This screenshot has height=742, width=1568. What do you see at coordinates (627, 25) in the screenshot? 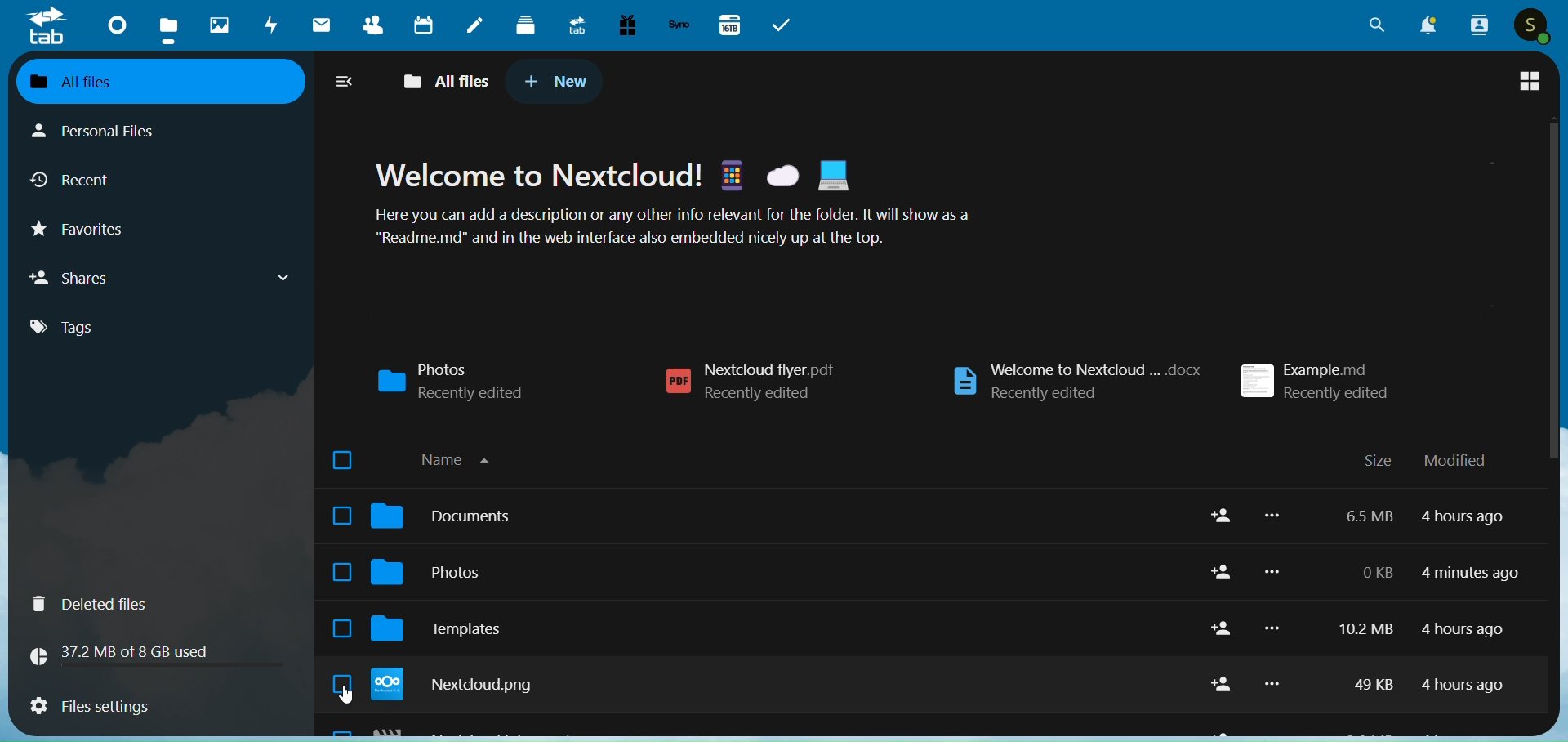
I see `free trial` at bounding box center [627, 25].